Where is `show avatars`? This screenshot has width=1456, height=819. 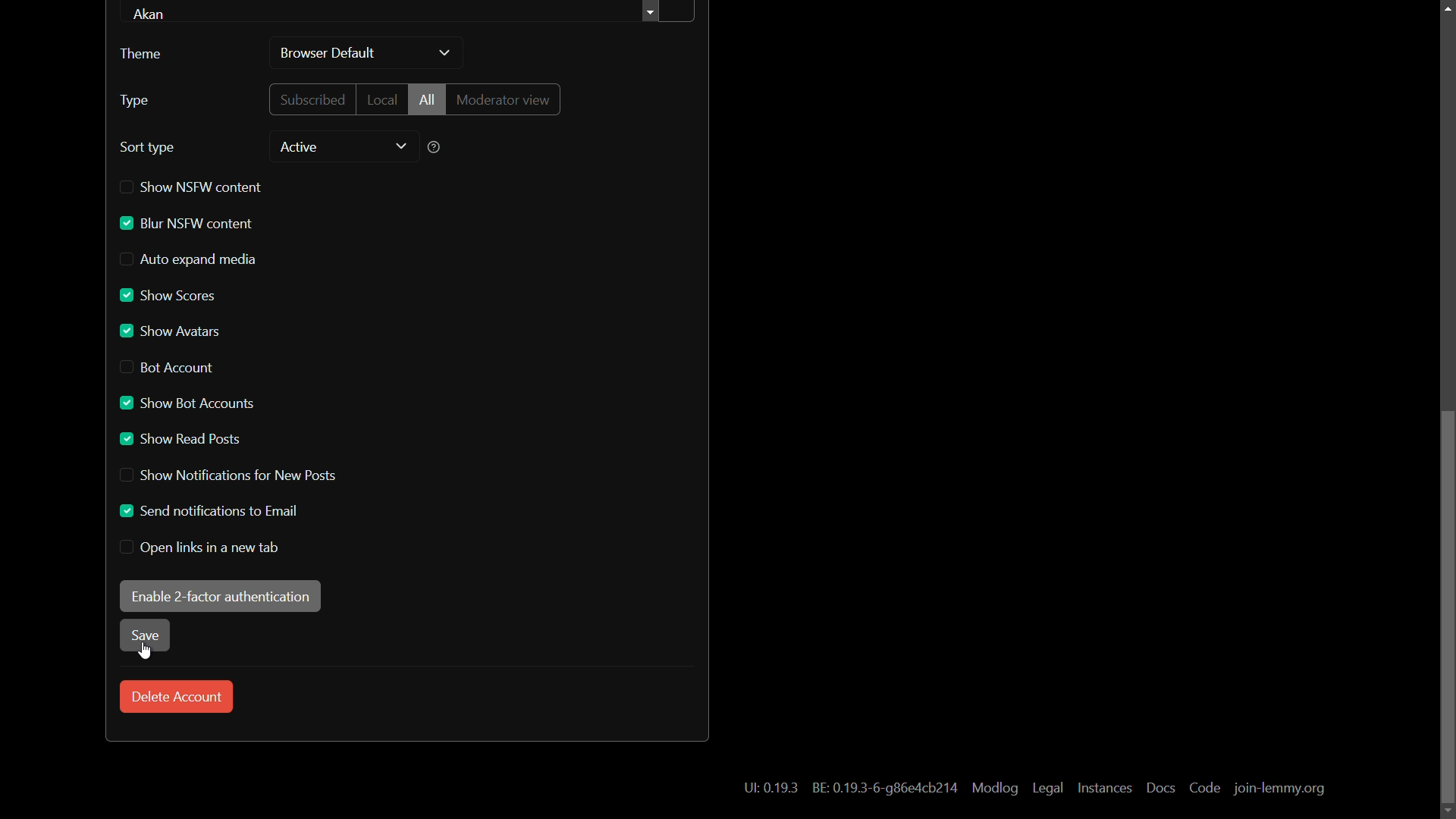
show avatars is located at coordinates (171, 331).